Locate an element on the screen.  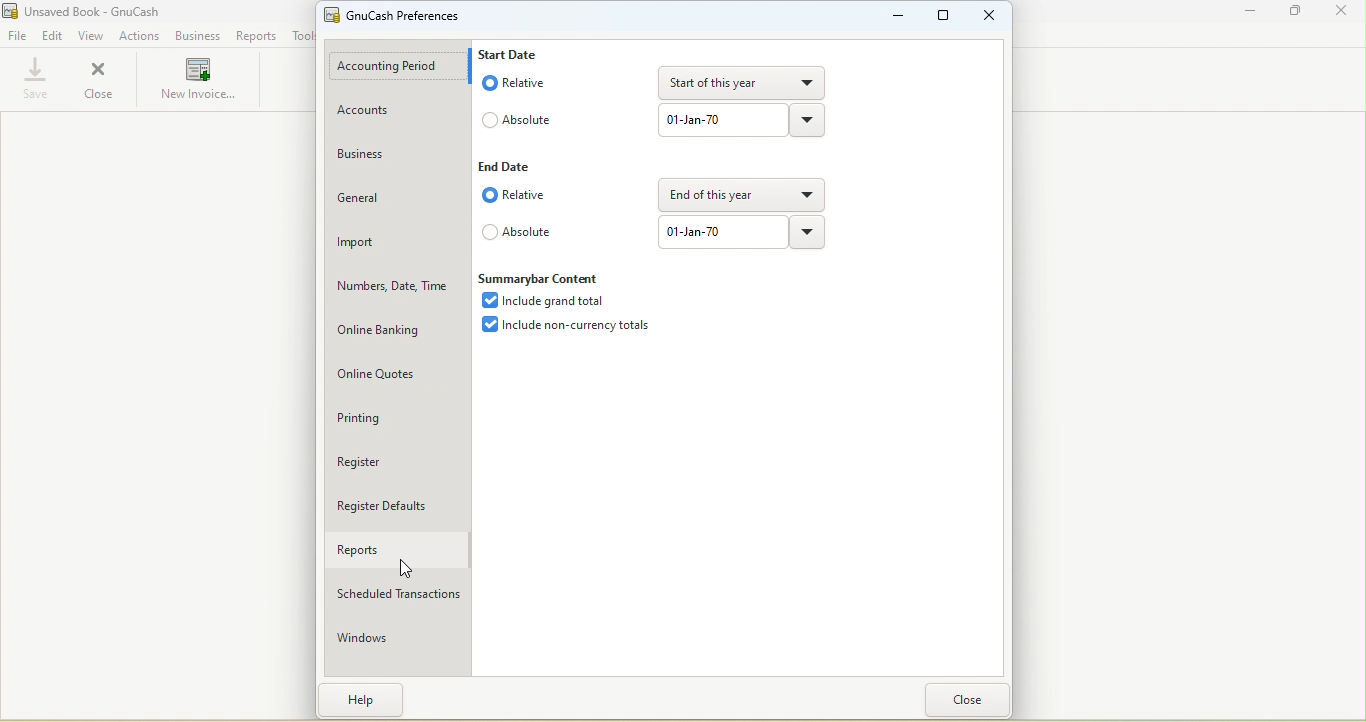
Tools is located at coordinates (299, 35).